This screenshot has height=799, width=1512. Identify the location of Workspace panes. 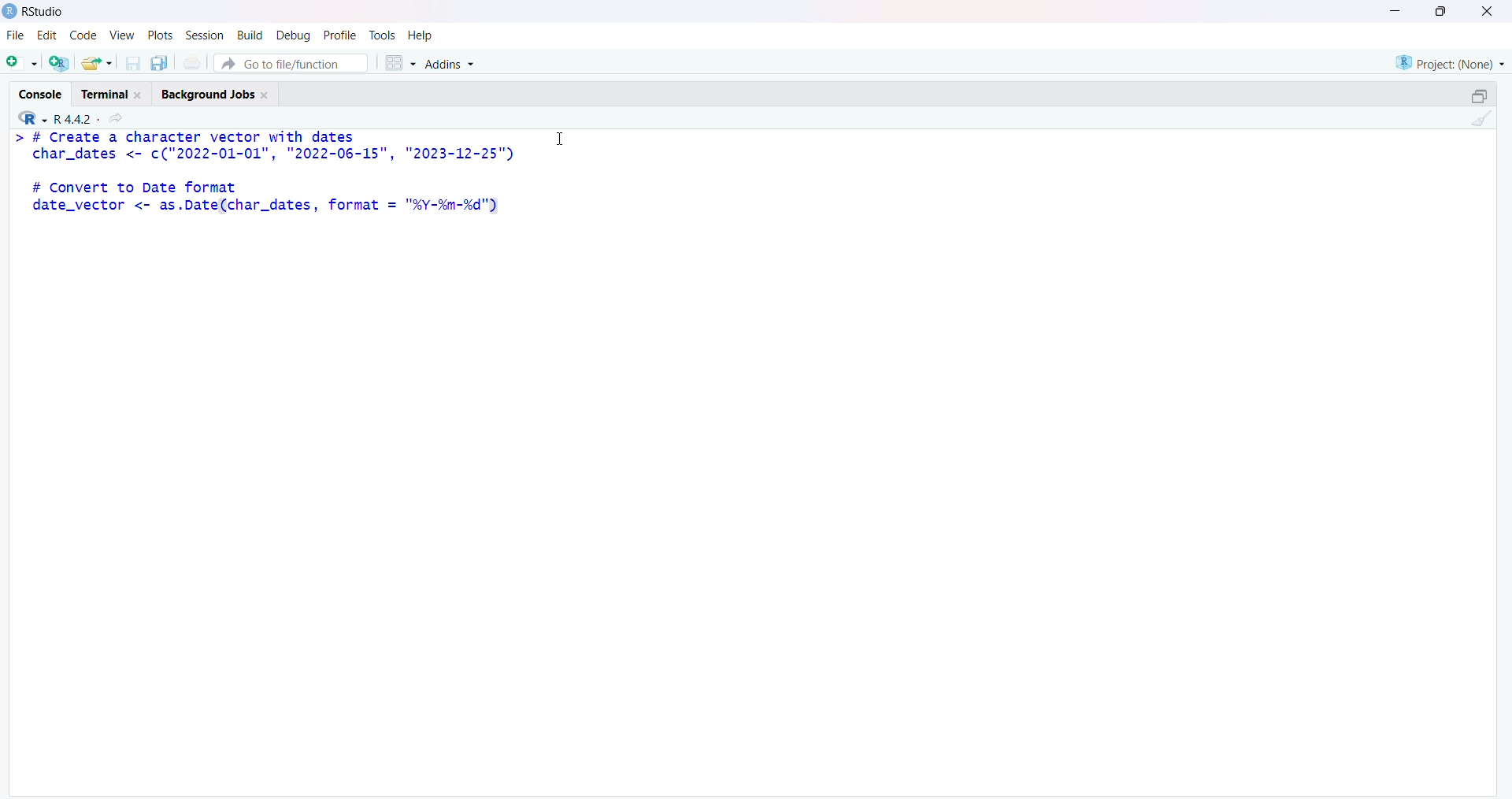
(400, 61).